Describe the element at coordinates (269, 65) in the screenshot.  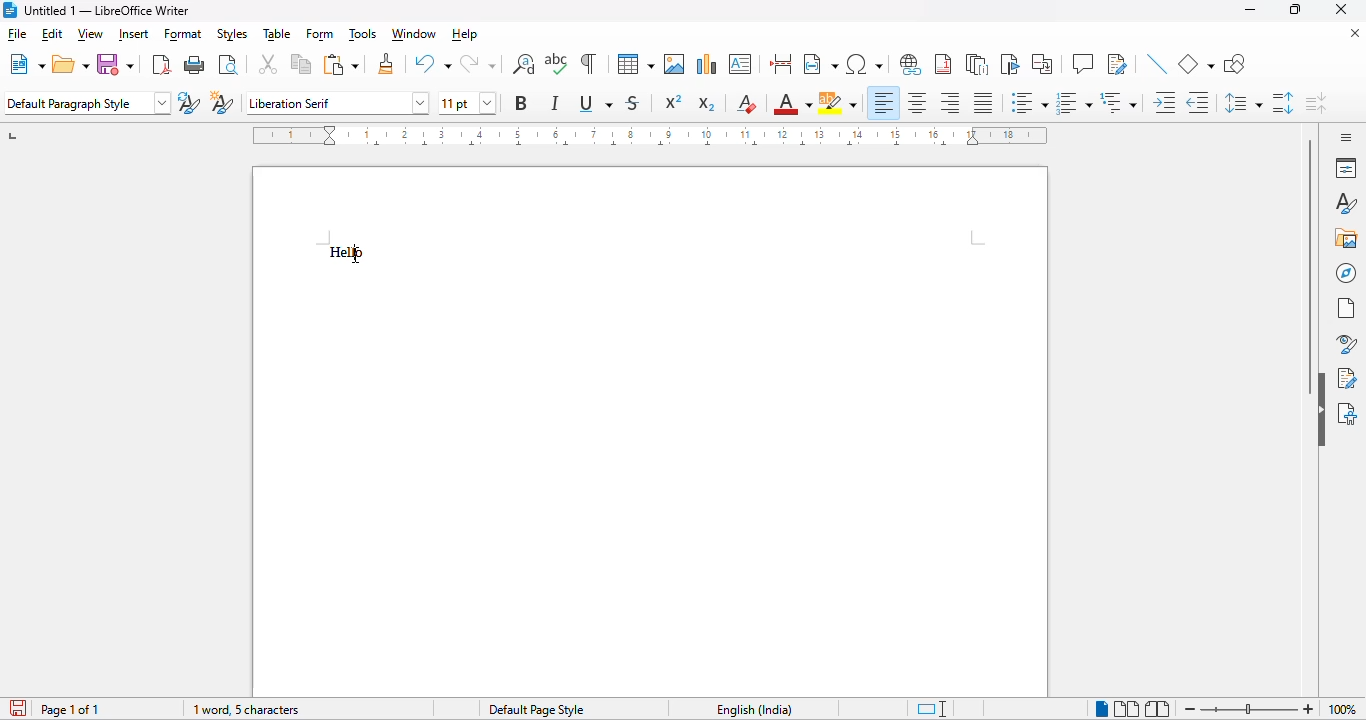
I see `cut` at that location.